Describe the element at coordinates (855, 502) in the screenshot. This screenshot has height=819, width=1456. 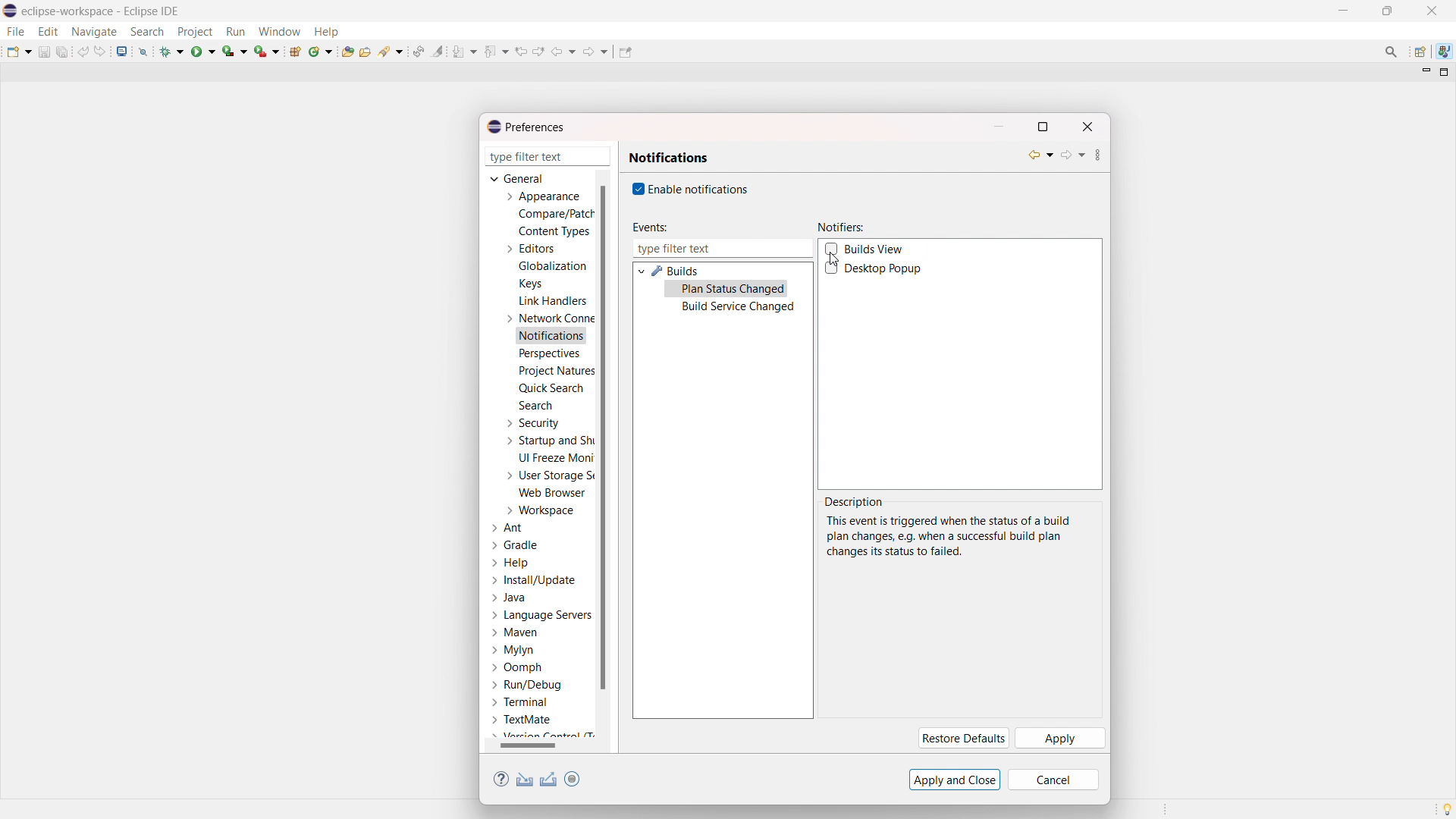
I see `description` at that location.